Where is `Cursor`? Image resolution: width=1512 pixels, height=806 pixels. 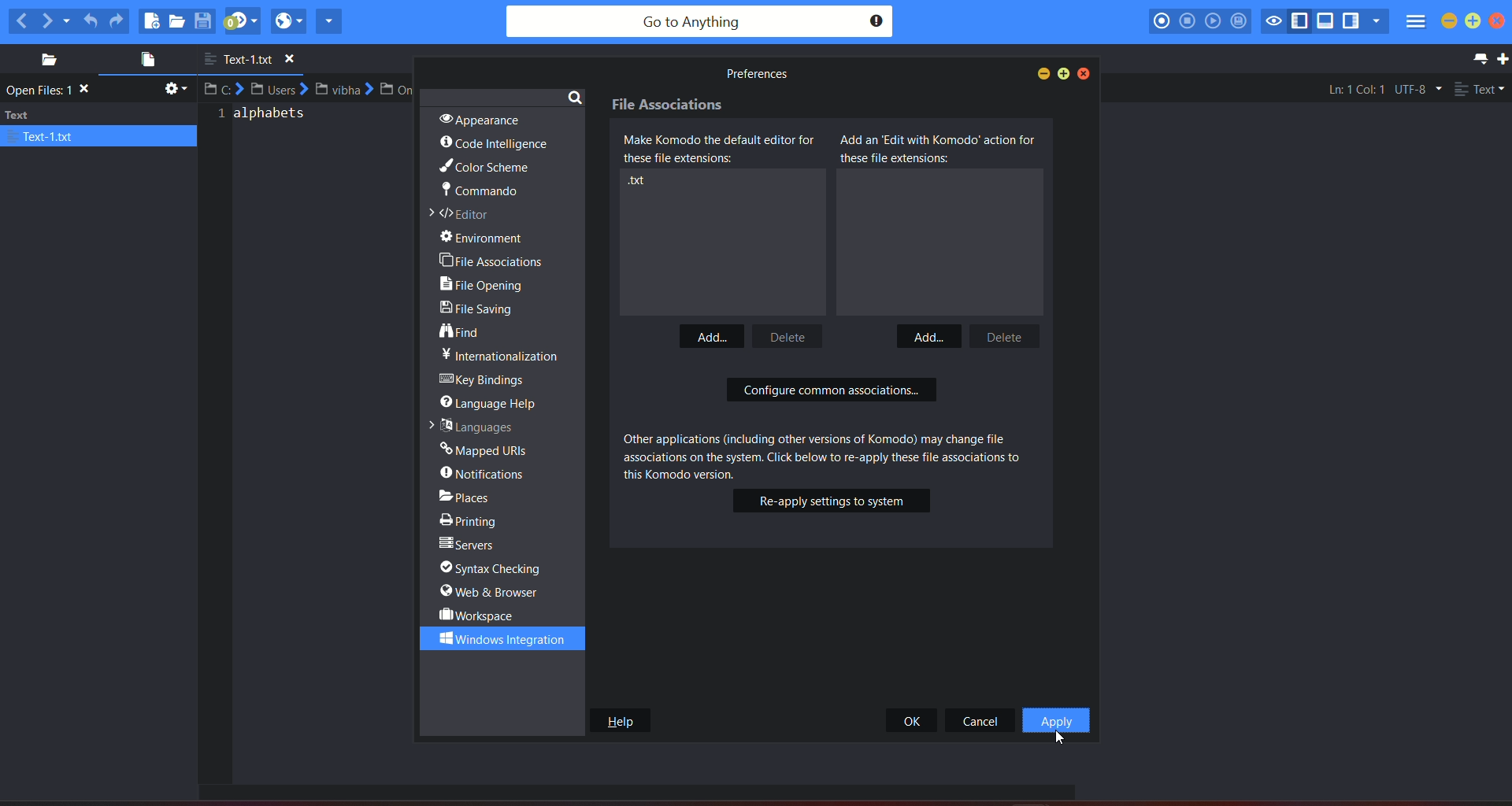
Cursor is located at coordinates (1059, 738).